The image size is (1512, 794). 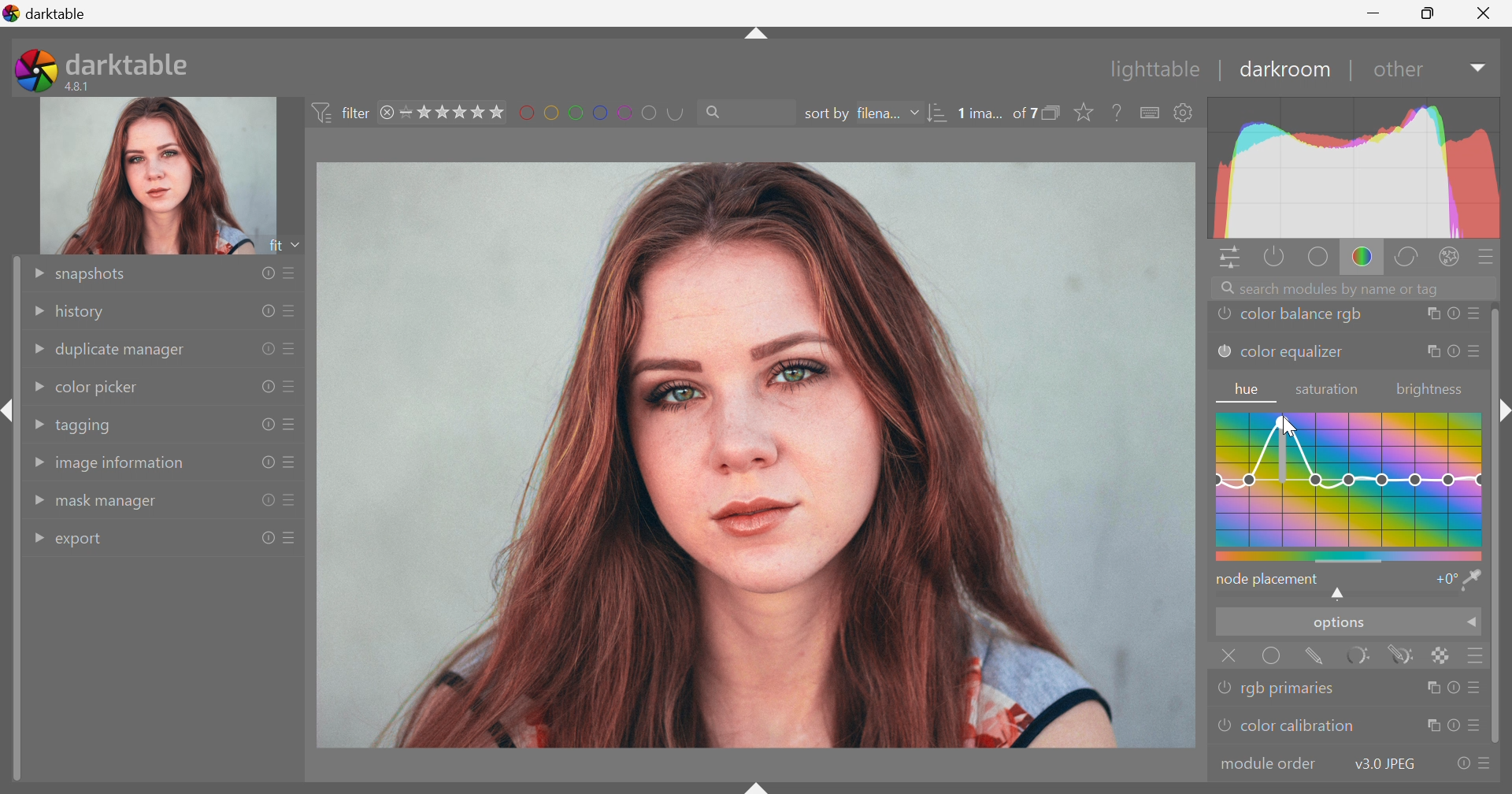 I want to click on reset, so click(x=265, y=538).